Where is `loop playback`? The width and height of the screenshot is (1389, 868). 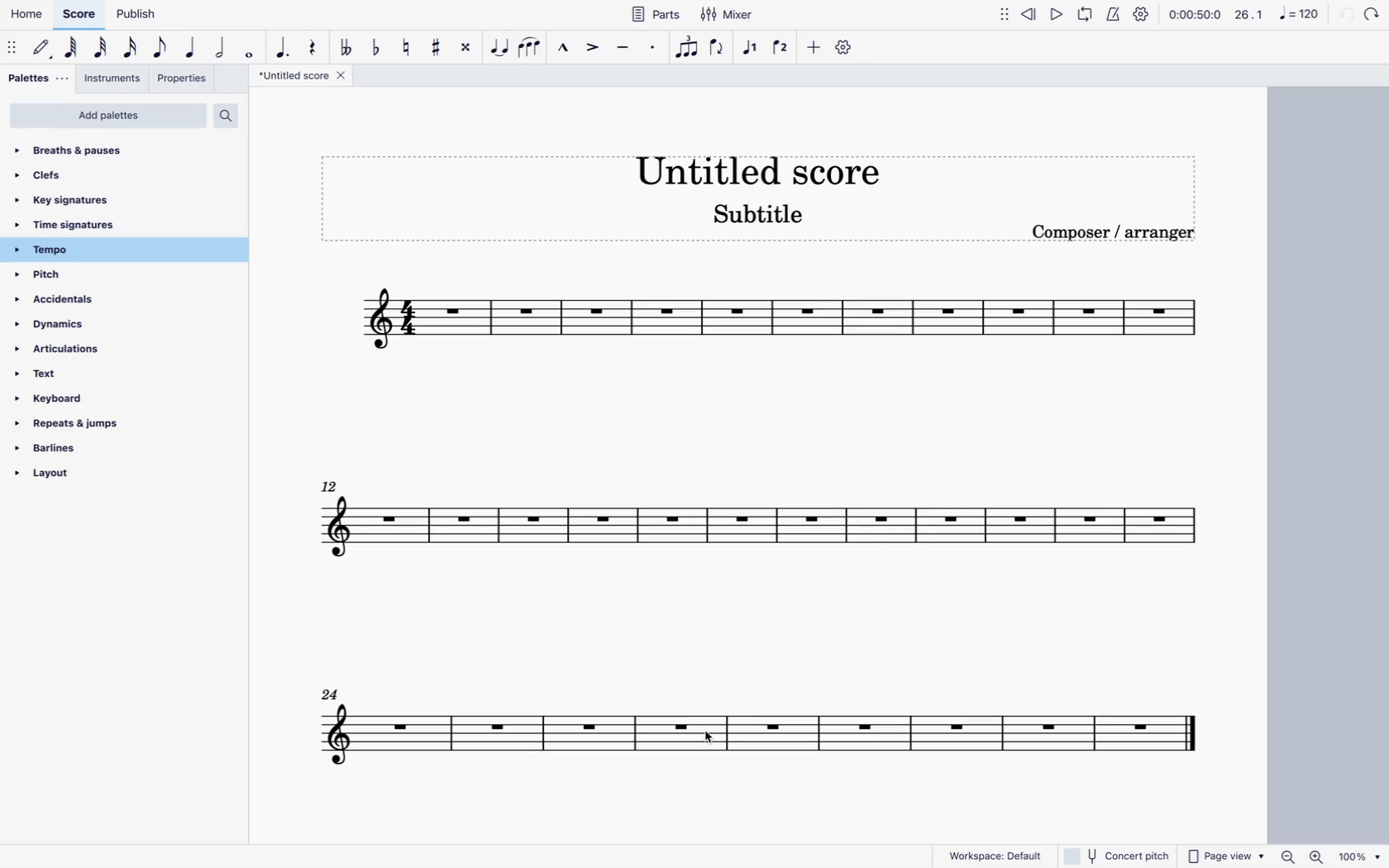 loop playback is located at coordinates (1086, 13).